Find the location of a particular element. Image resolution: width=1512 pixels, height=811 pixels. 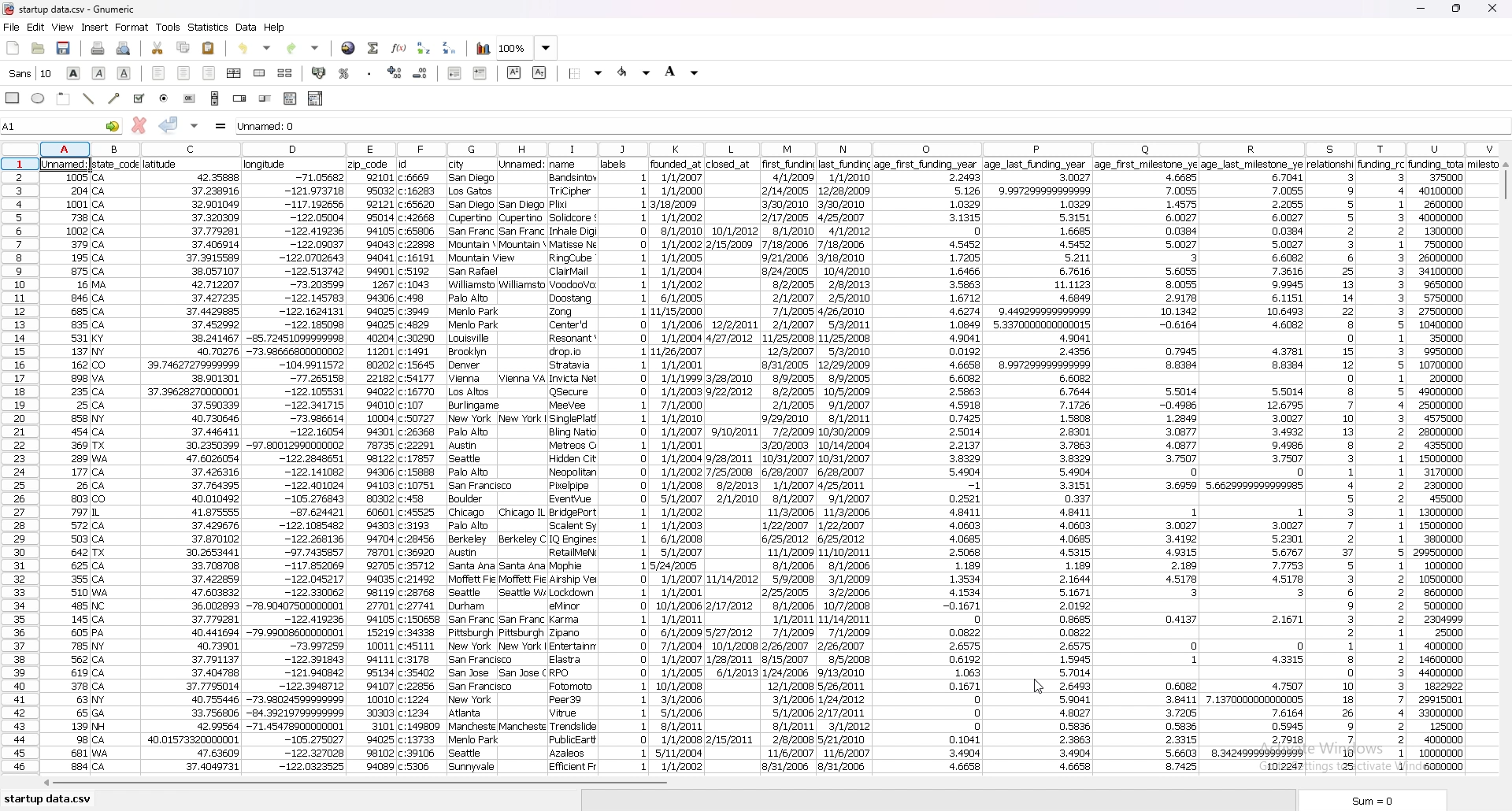

spin button is located at coordinates (239, 99).